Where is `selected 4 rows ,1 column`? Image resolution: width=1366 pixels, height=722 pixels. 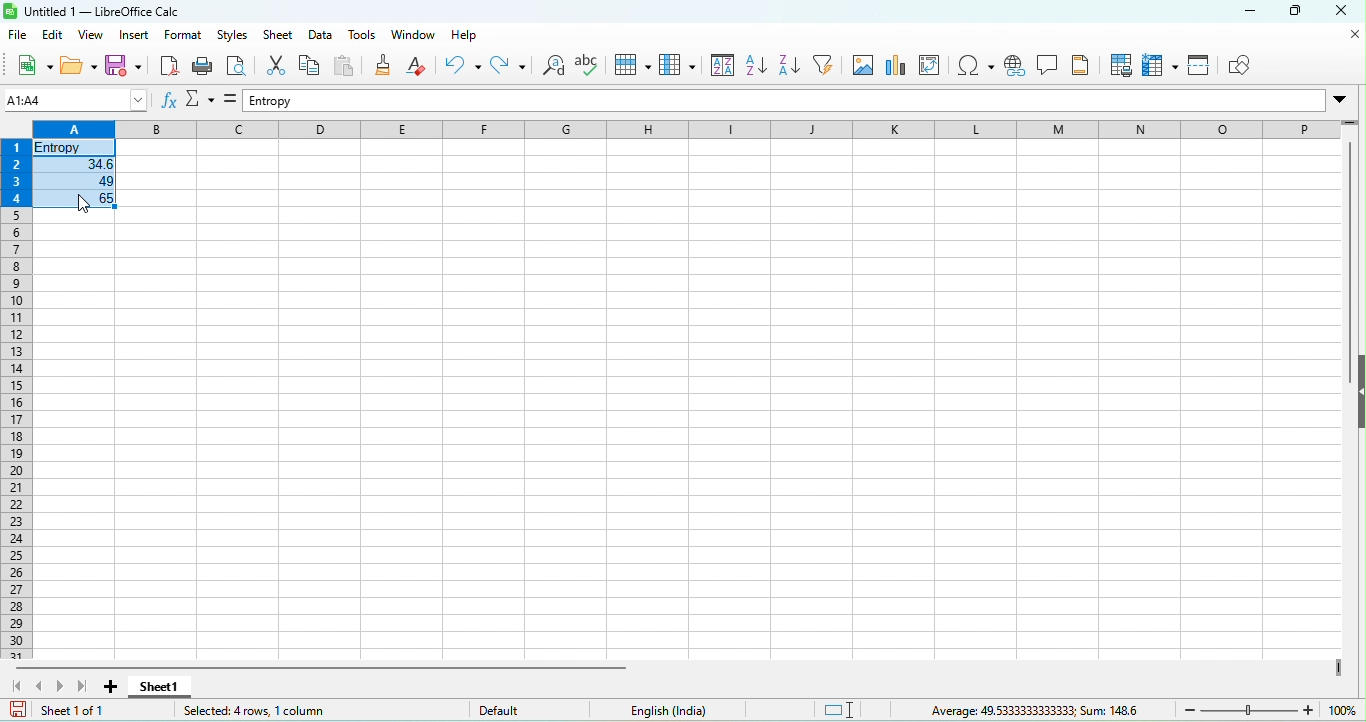
selected 4 rows ,1 column is located at coordinates (325, 709).